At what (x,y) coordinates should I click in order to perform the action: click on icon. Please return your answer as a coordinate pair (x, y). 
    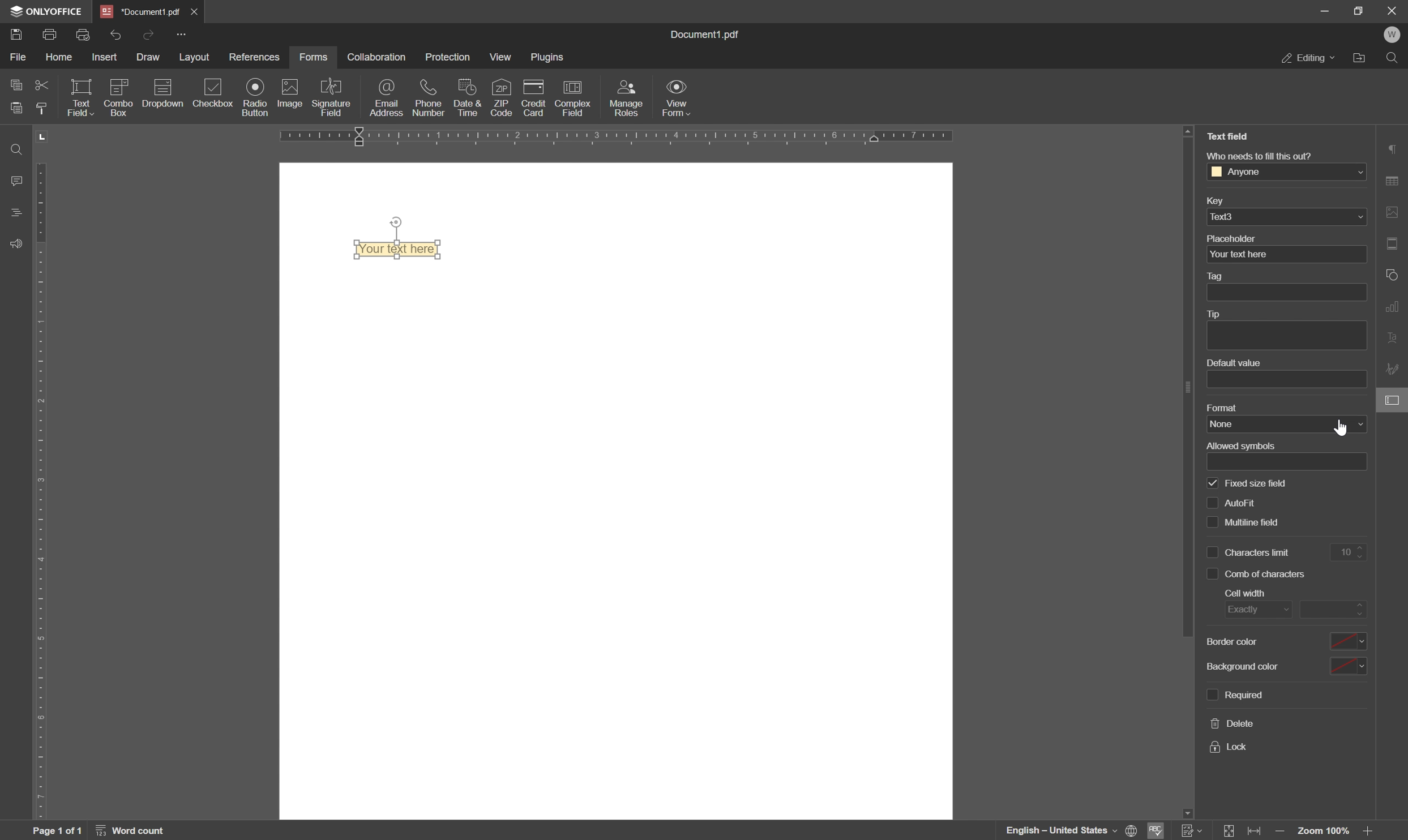
    Looking at the image, I should click on (117, 96).